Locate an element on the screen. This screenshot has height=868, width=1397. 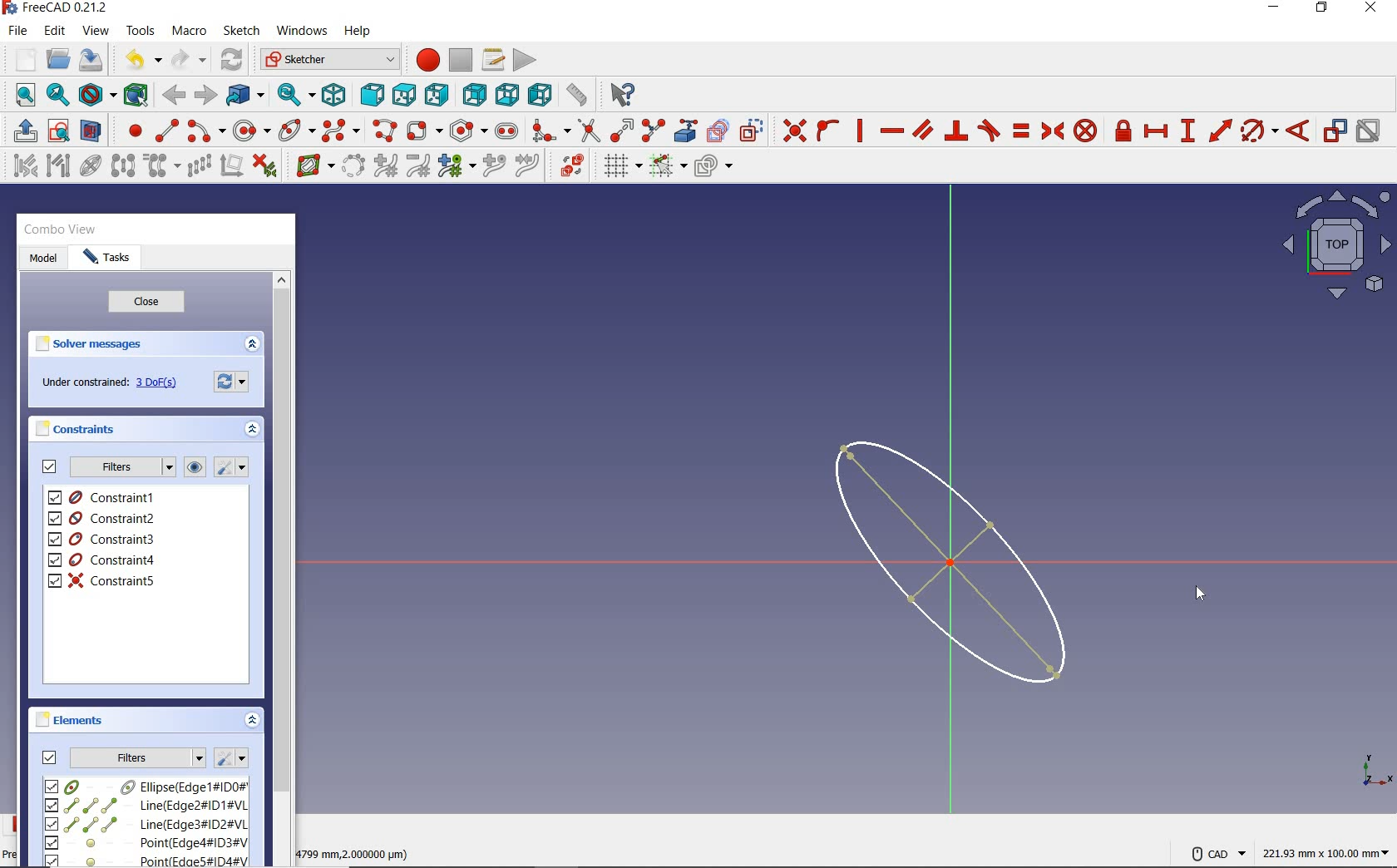
create circle is located at coordinates (252, 128).